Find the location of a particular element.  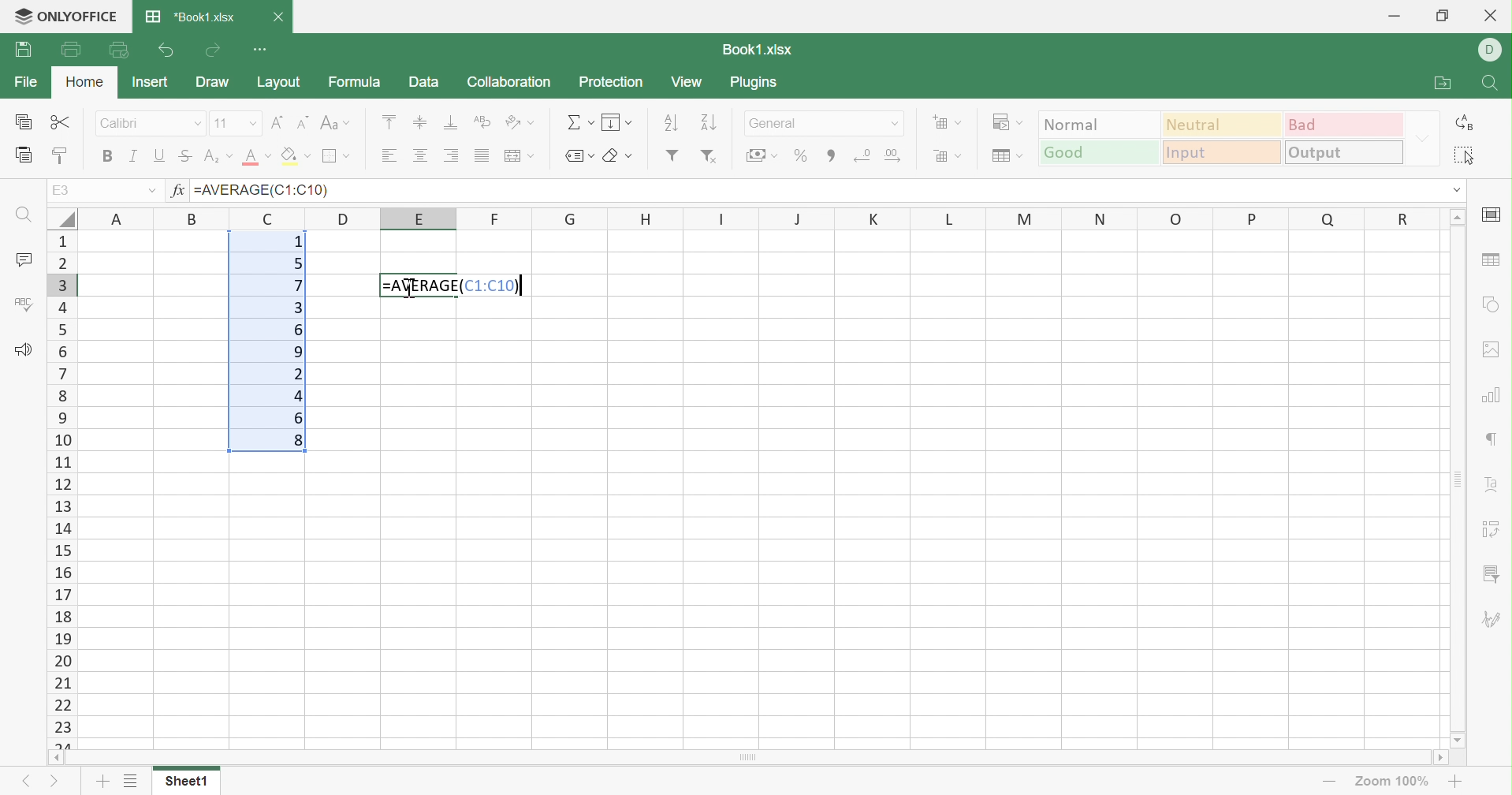

Close is located at coordinates (1495, 17).